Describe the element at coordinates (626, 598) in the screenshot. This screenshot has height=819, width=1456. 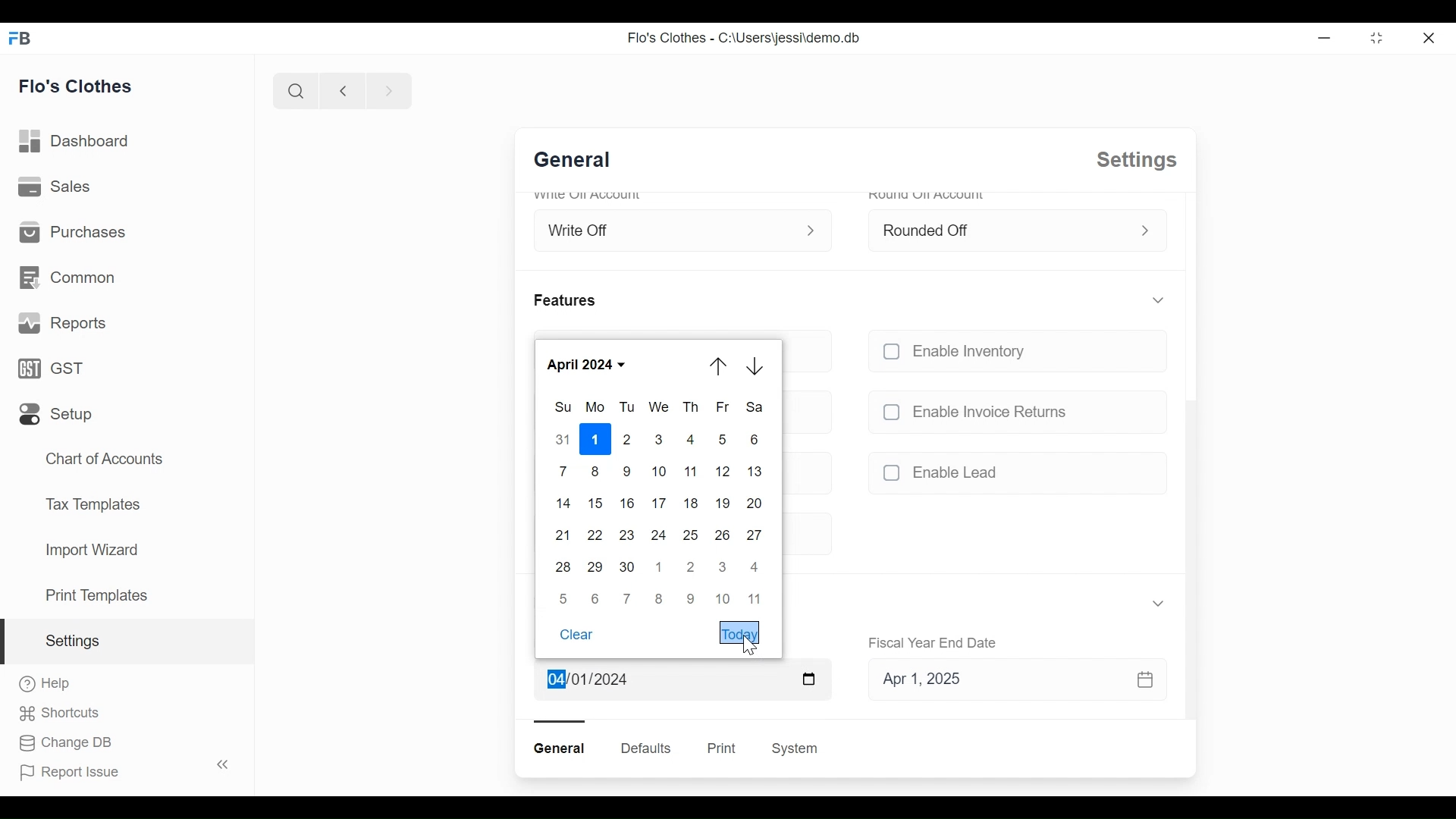
I see `7` at that location.